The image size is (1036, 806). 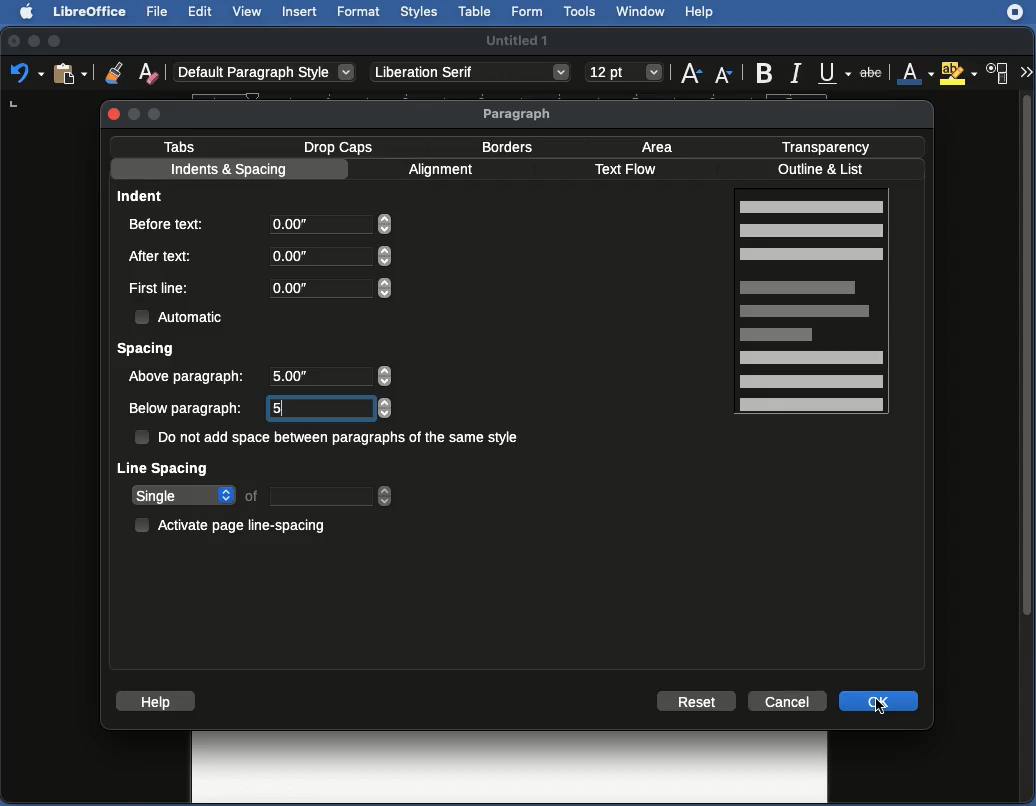 What do you see at coordinates (186, 409) in the screenshot?
I see `Below paragraph ` at bounding box center [186, 409].